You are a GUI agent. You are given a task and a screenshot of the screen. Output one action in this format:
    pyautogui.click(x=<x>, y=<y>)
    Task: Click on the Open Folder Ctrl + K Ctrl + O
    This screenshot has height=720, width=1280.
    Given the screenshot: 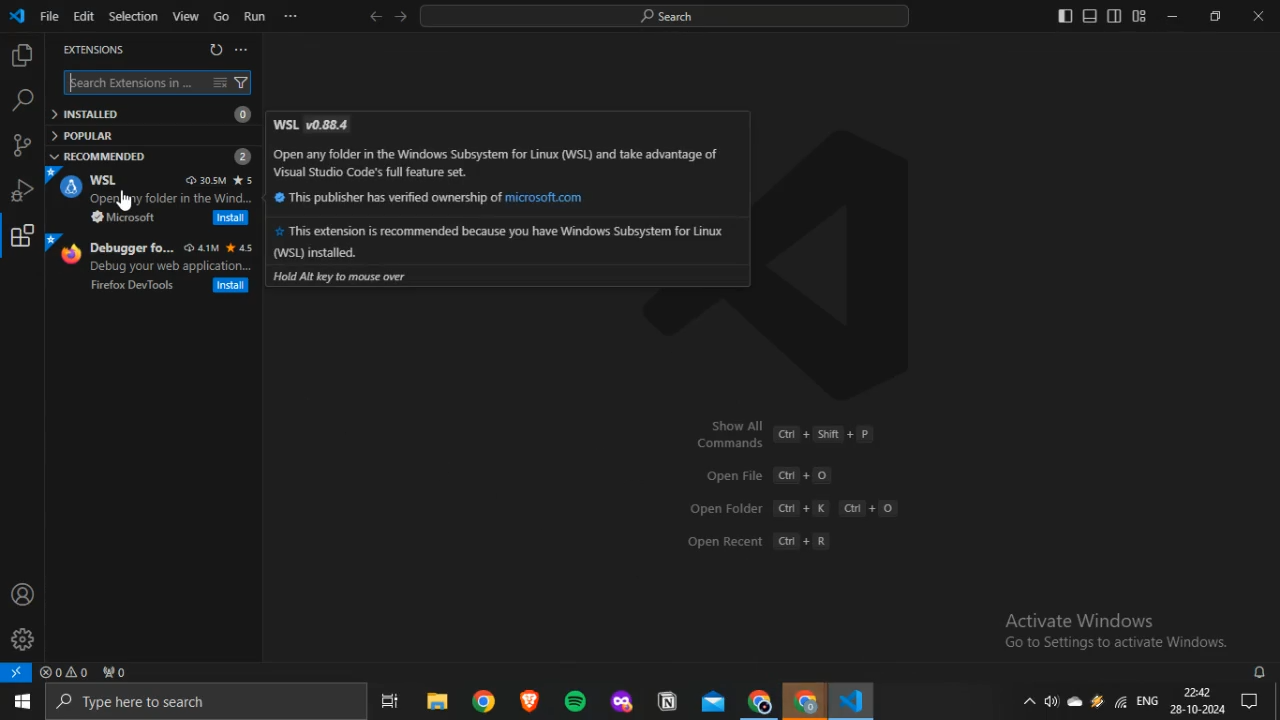 What is the action you would take?
    pyautogui.click(x=792, y=508)
    